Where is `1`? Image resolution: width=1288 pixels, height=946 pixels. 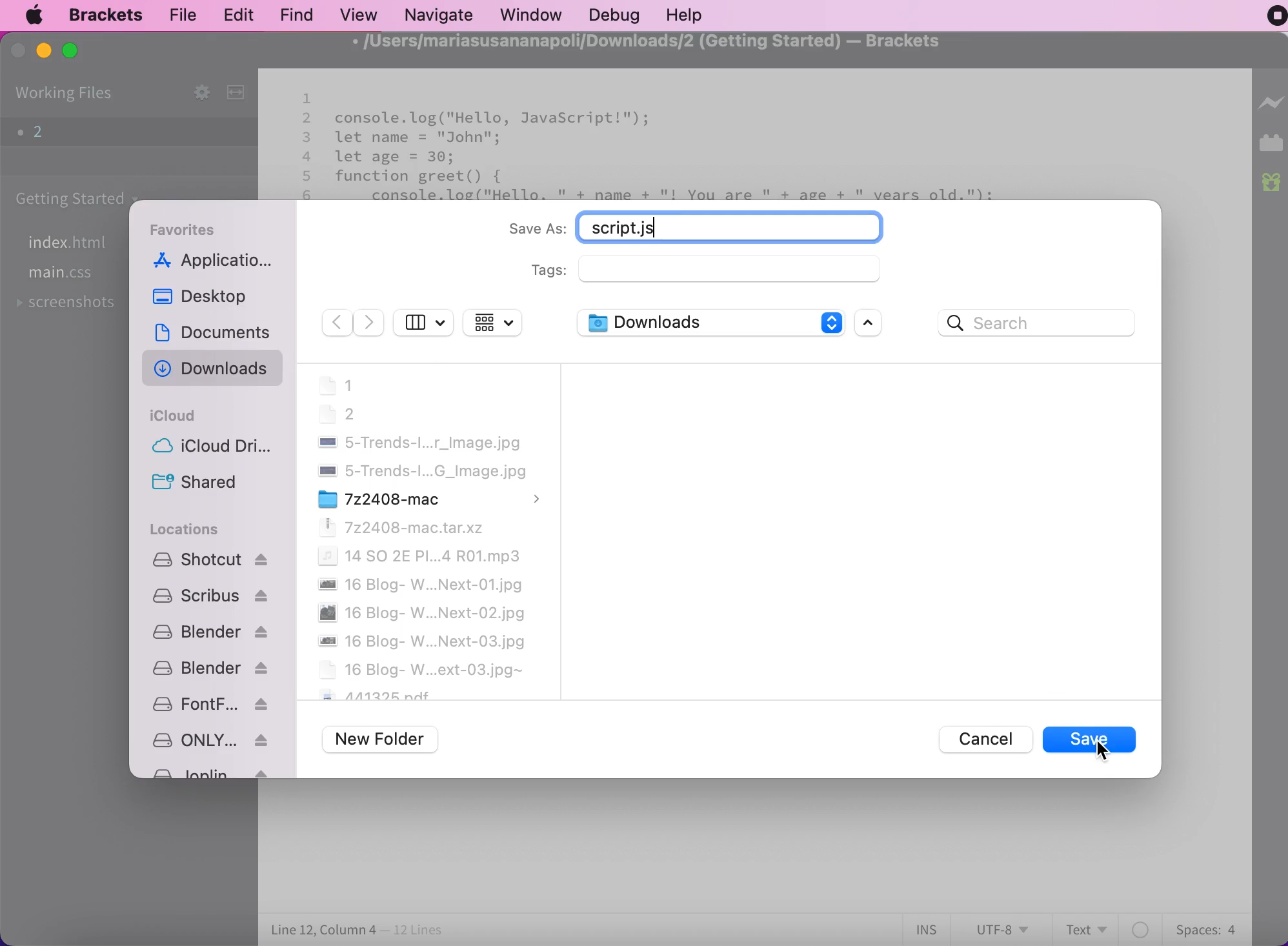
1 is located at coordinates (306, 98).